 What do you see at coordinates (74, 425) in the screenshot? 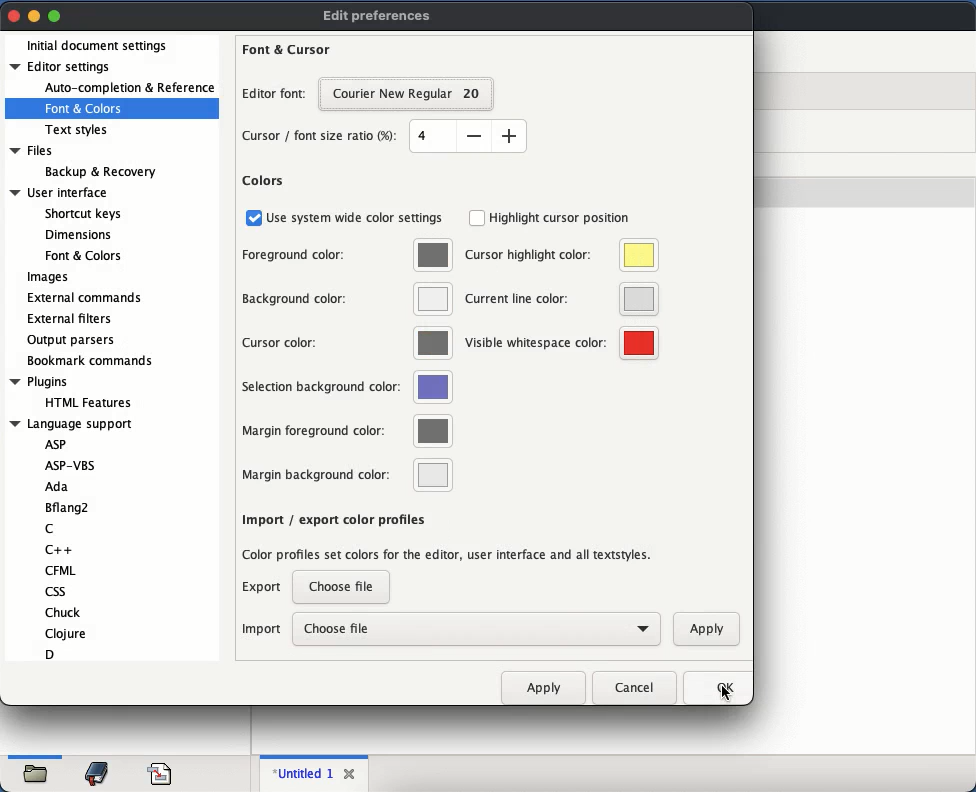
I see `Language support` at bounding box center [74, 425].